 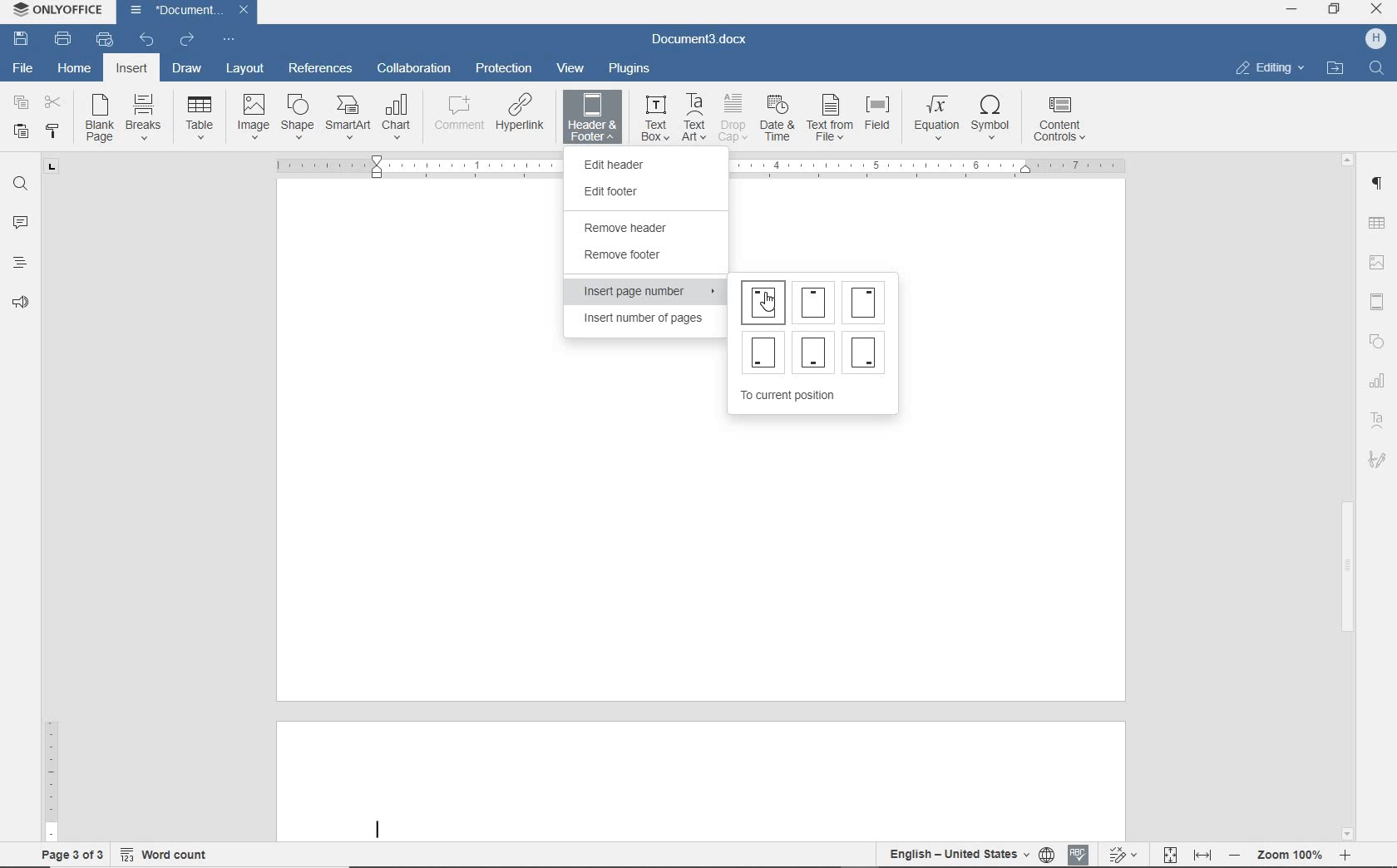 What do you see at coordinates (937, 118) in the screenshot?
I see `EQUATION` at bounding box center [937, 118].